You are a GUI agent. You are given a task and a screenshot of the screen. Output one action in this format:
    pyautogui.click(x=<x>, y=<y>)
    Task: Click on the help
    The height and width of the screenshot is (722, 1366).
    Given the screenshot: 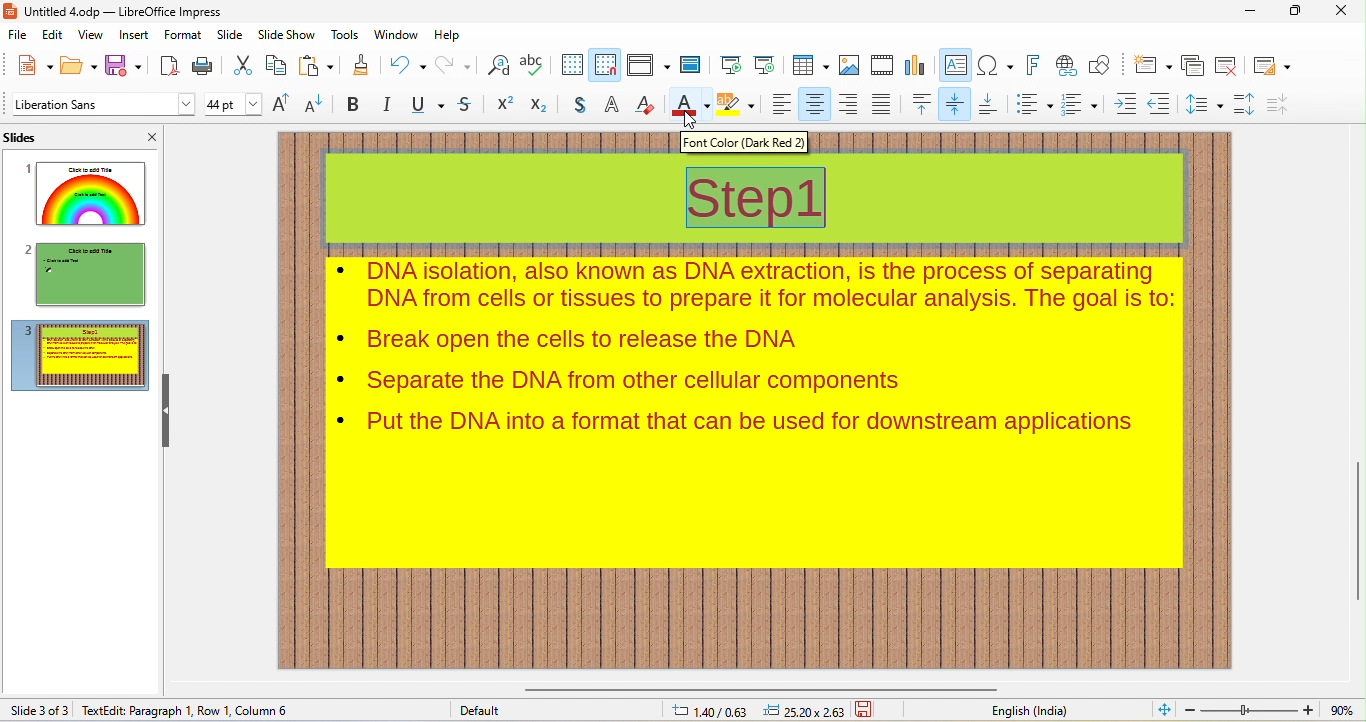 What is the action you would take?
    pyautogui.click(x=455, y=35)
    